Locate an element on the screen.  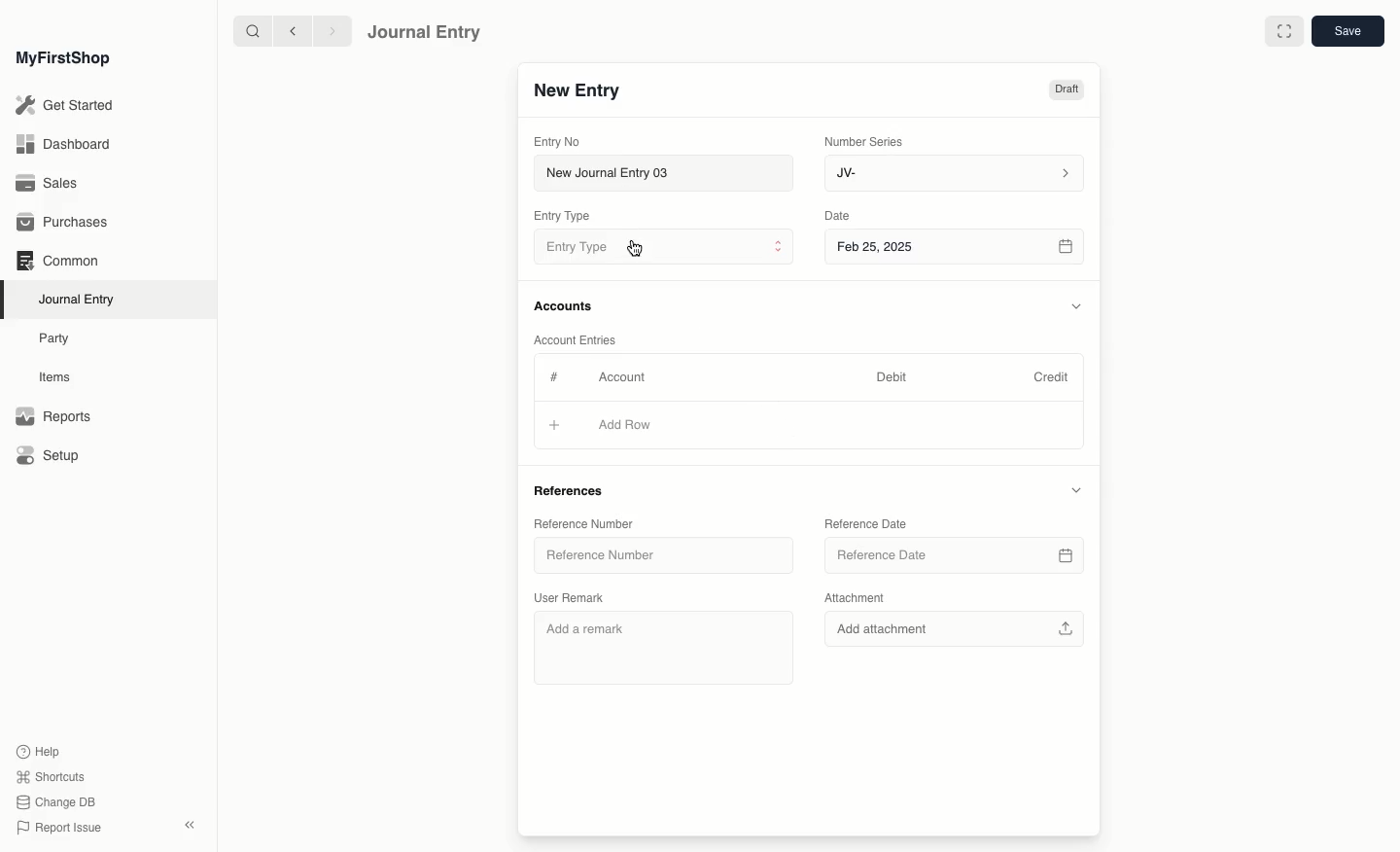
Credit is located at coordinates (1050, 375).